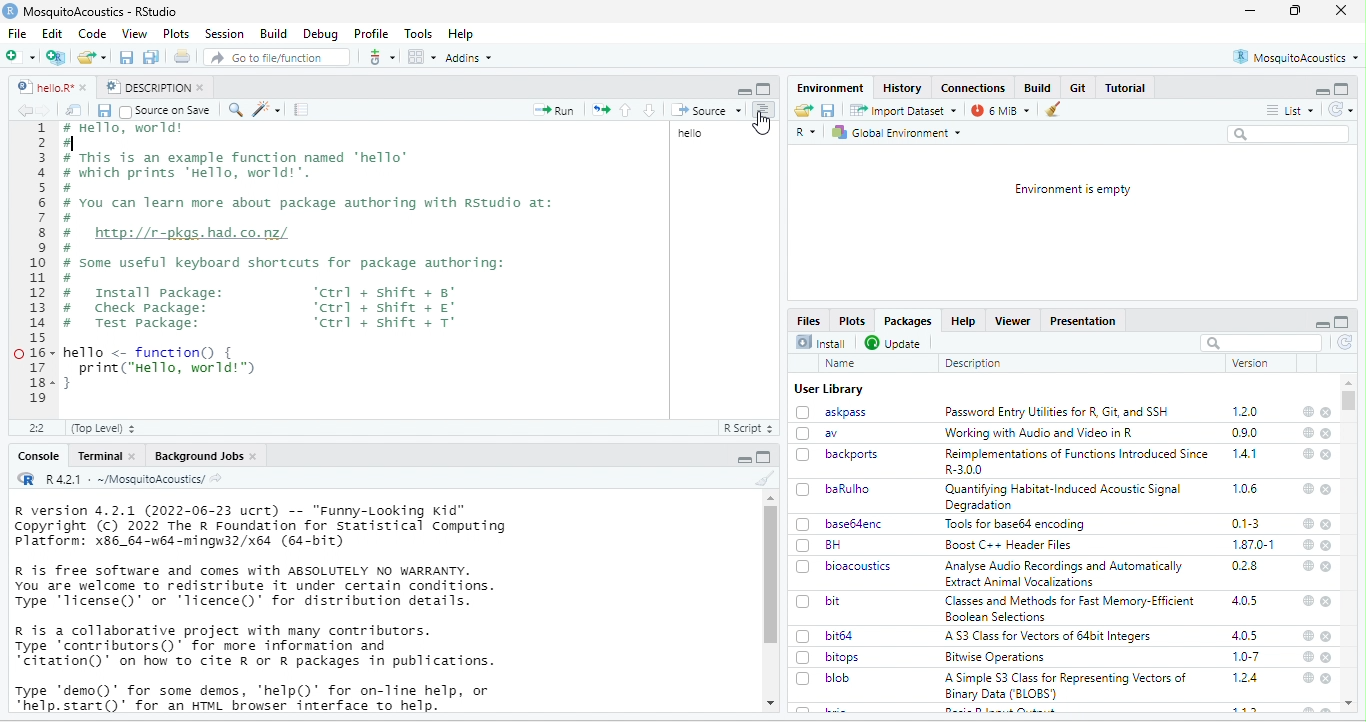 The width and height of the screenshot is (1366, 722). I want to click on version, so click(1248, 363).